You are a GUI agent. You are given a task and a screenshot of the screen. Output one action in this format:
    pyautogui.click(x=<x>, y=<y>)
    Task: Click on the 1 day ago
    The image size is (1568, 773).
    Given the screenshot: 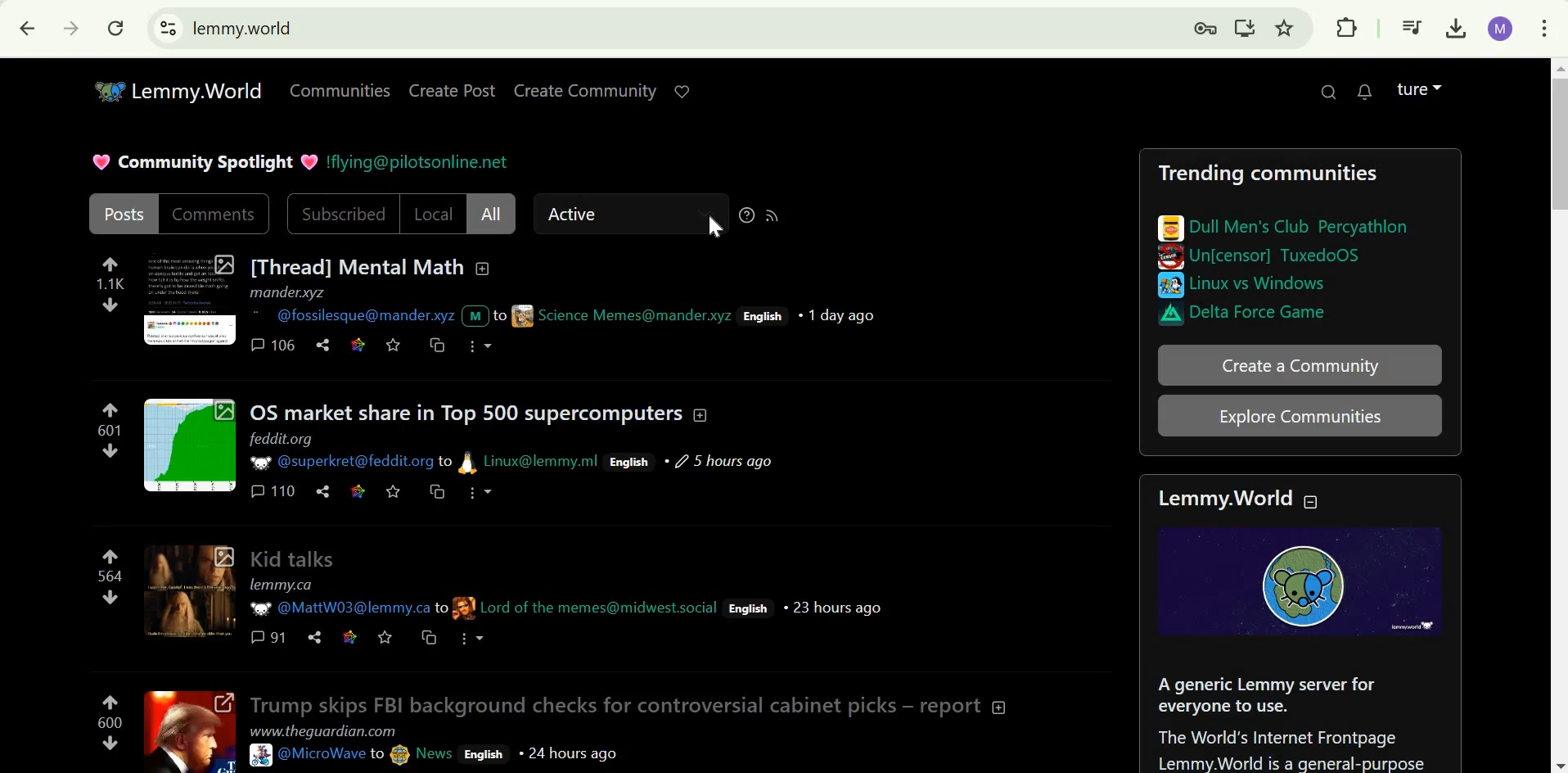 What is the action you would take?
    pyautogui.click(x=837, y=315)
    